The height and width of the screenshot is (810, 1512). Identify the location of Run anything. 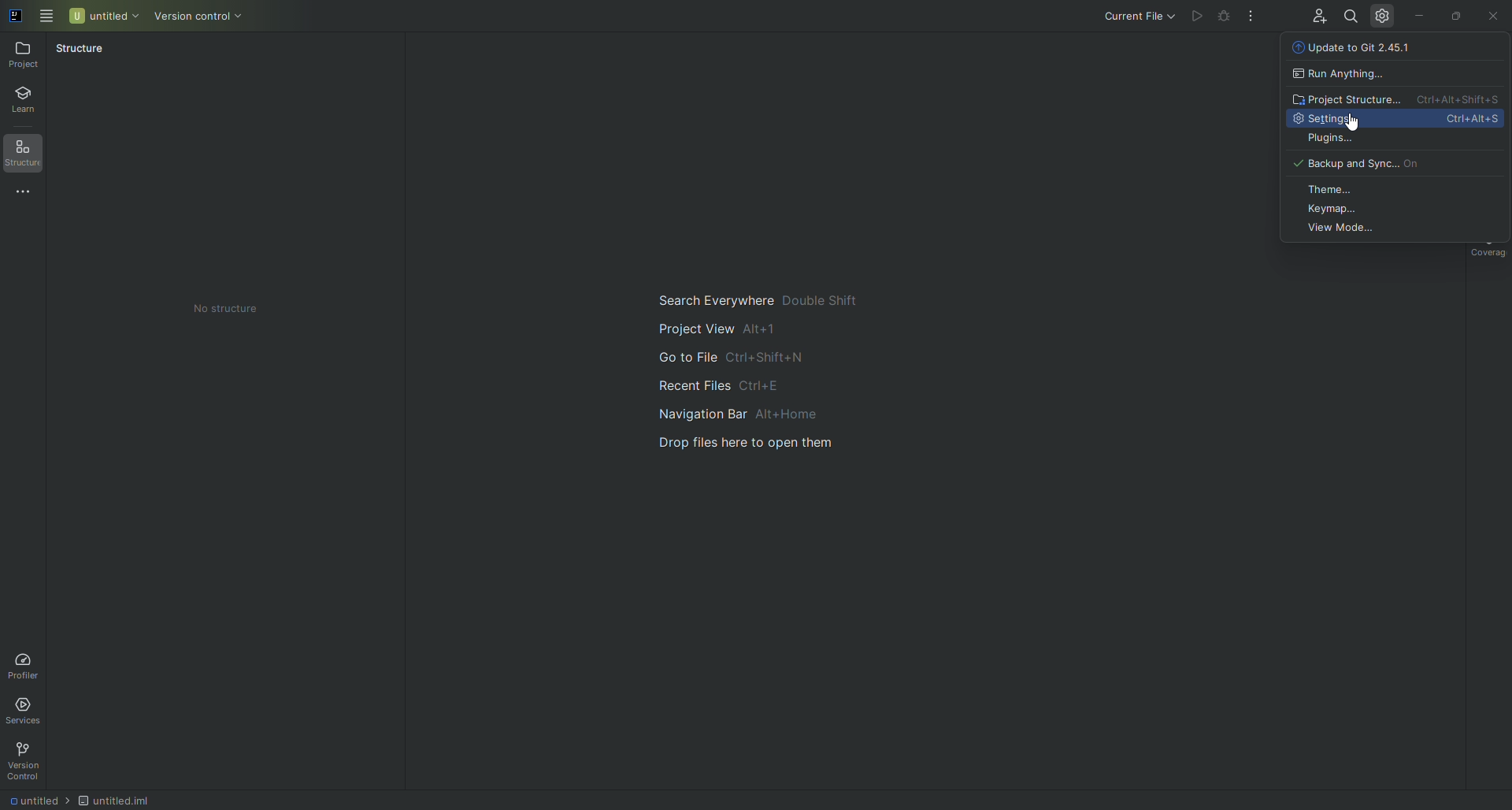
(1393, 74).